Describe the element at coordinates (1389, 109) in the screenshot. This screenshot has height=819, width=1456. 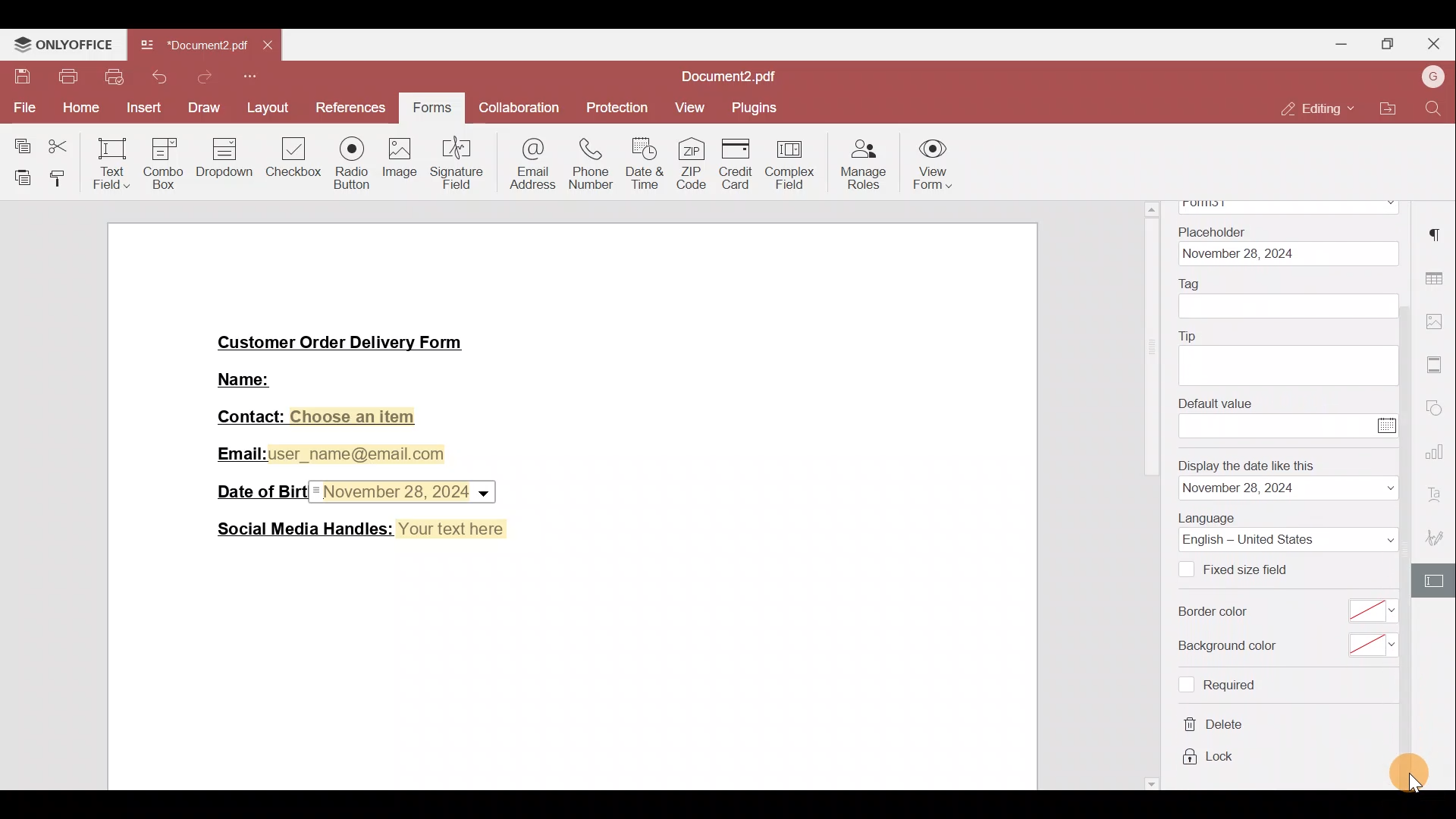
I see `Open file location` at that location.